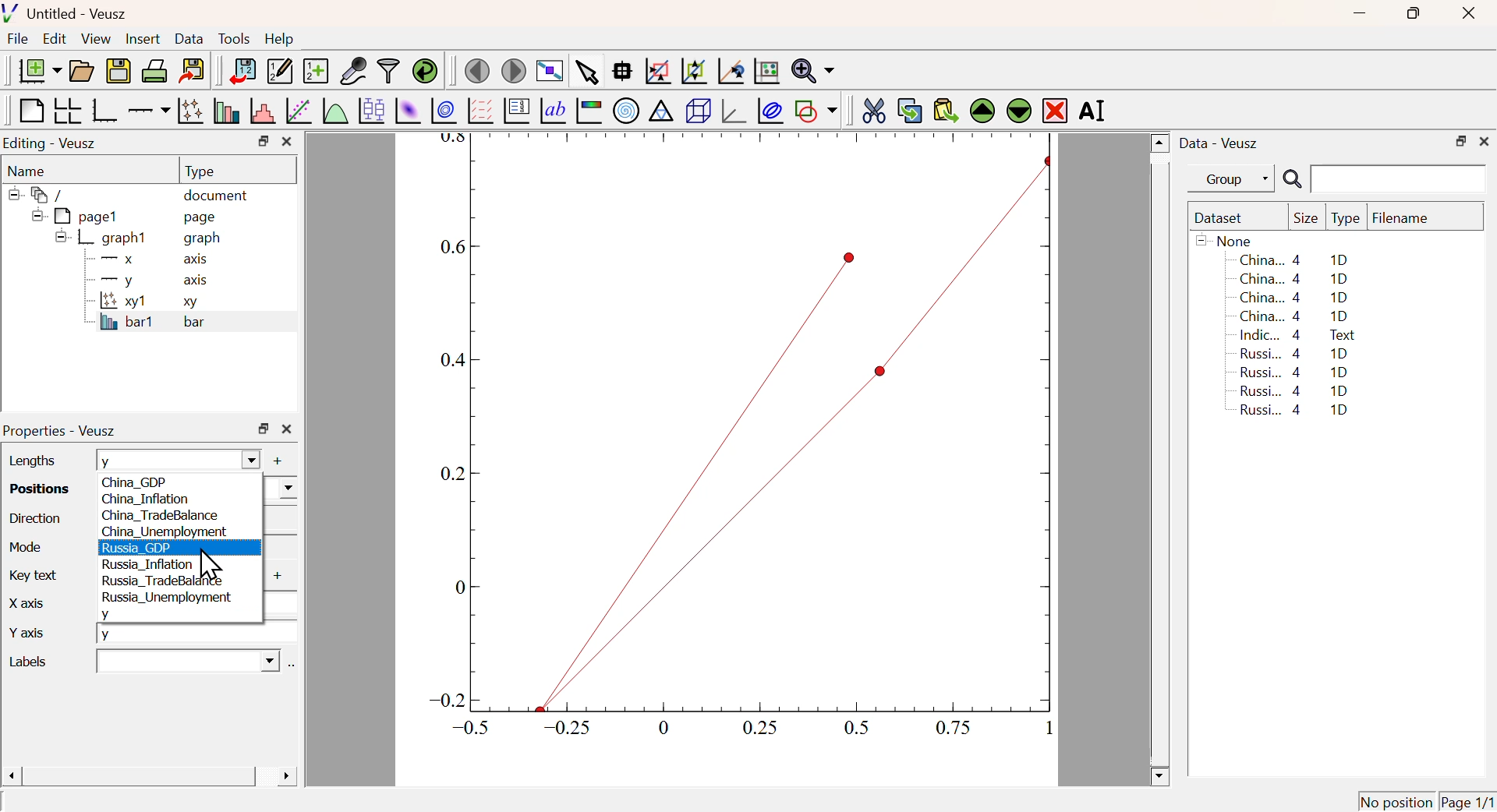  I want to click on Plot bar charts, so click(226, 111).